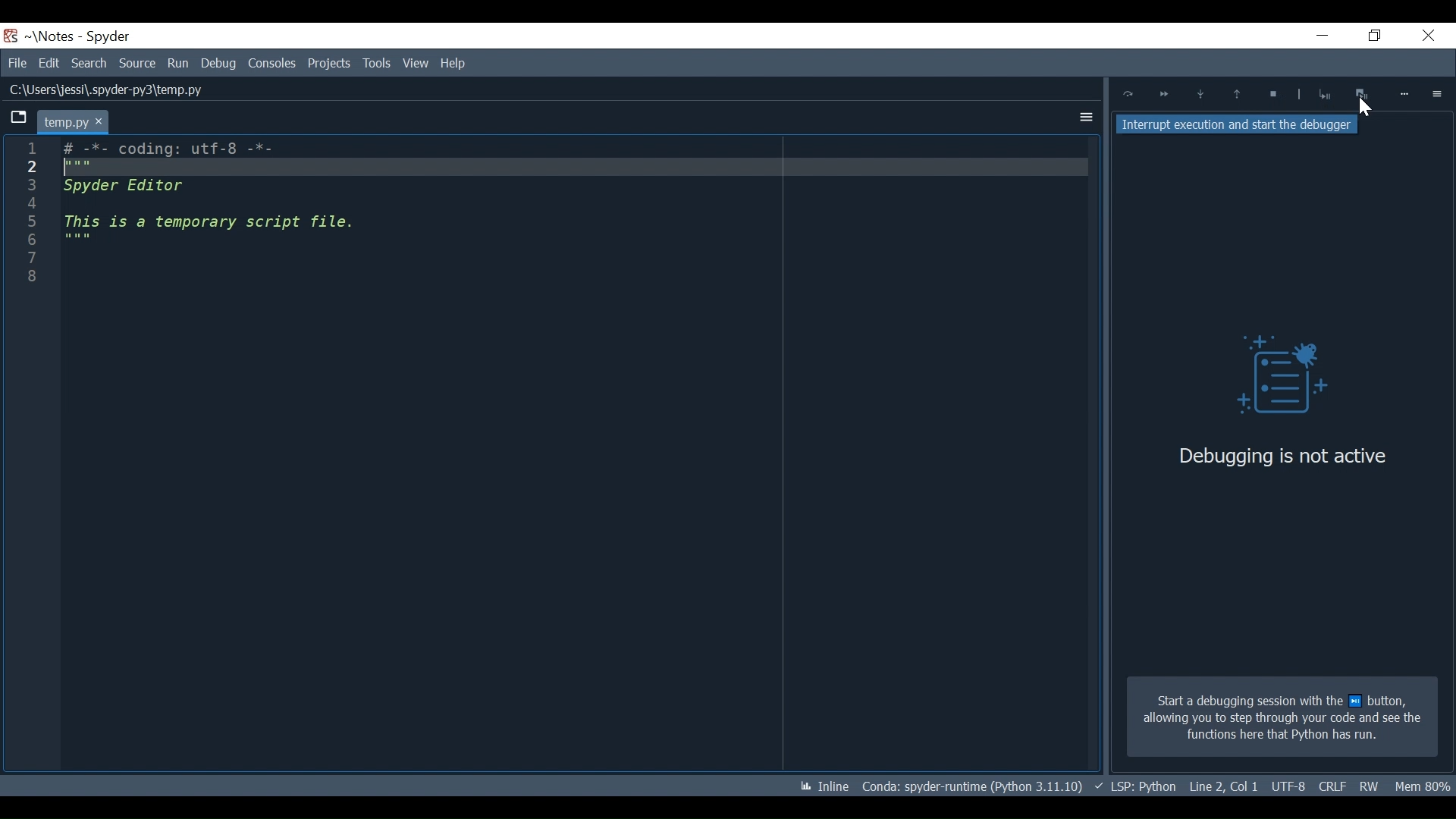 The image size is (1456, 819). What do you see at coordinates (1405, 94) in the screenshot?
I see `More` at bounding box center [1405, 94].